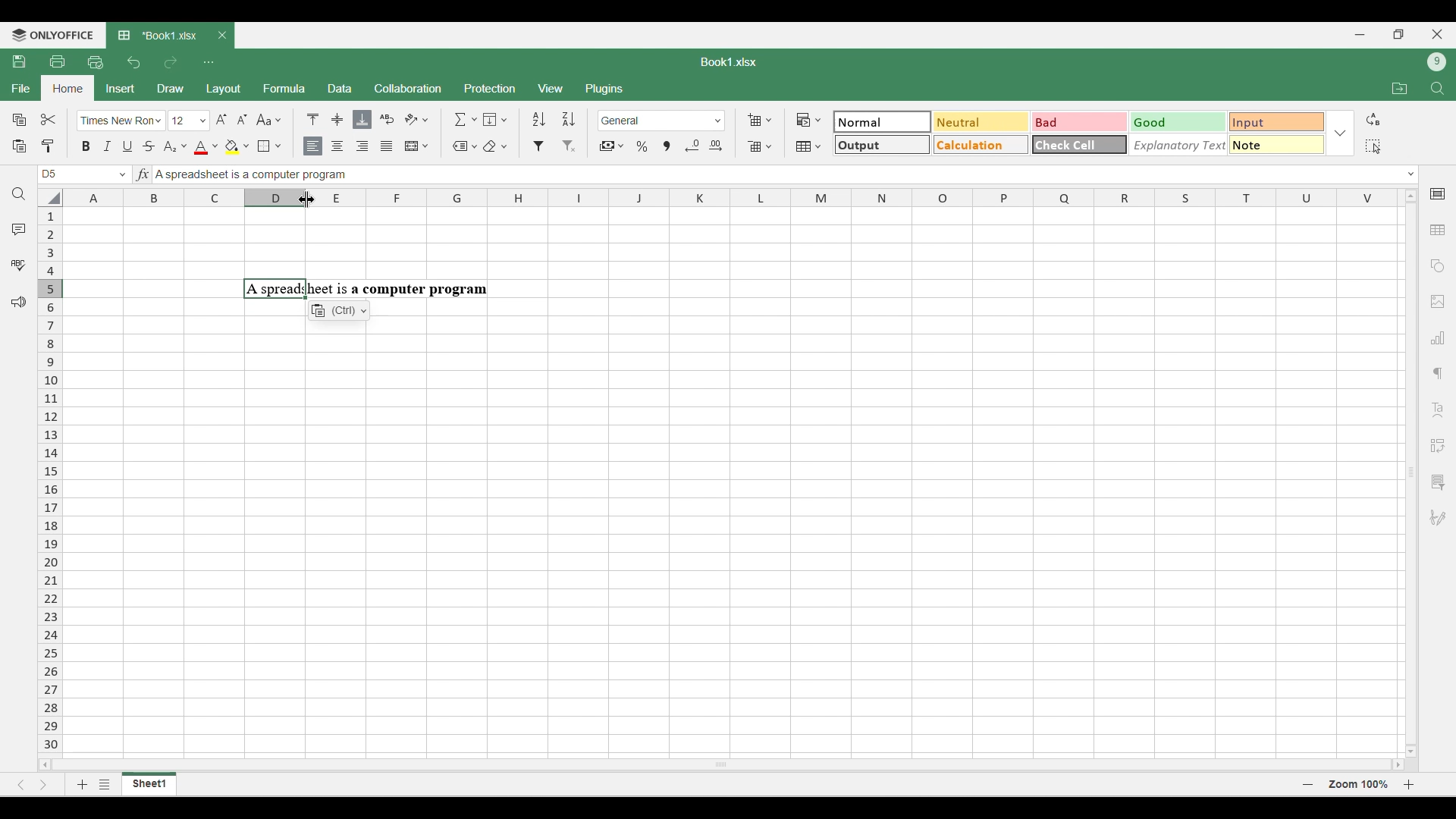  What do you see at coordinates (44, 784) in the screenshot?
I see `Next` at bounding box center [44, 784].